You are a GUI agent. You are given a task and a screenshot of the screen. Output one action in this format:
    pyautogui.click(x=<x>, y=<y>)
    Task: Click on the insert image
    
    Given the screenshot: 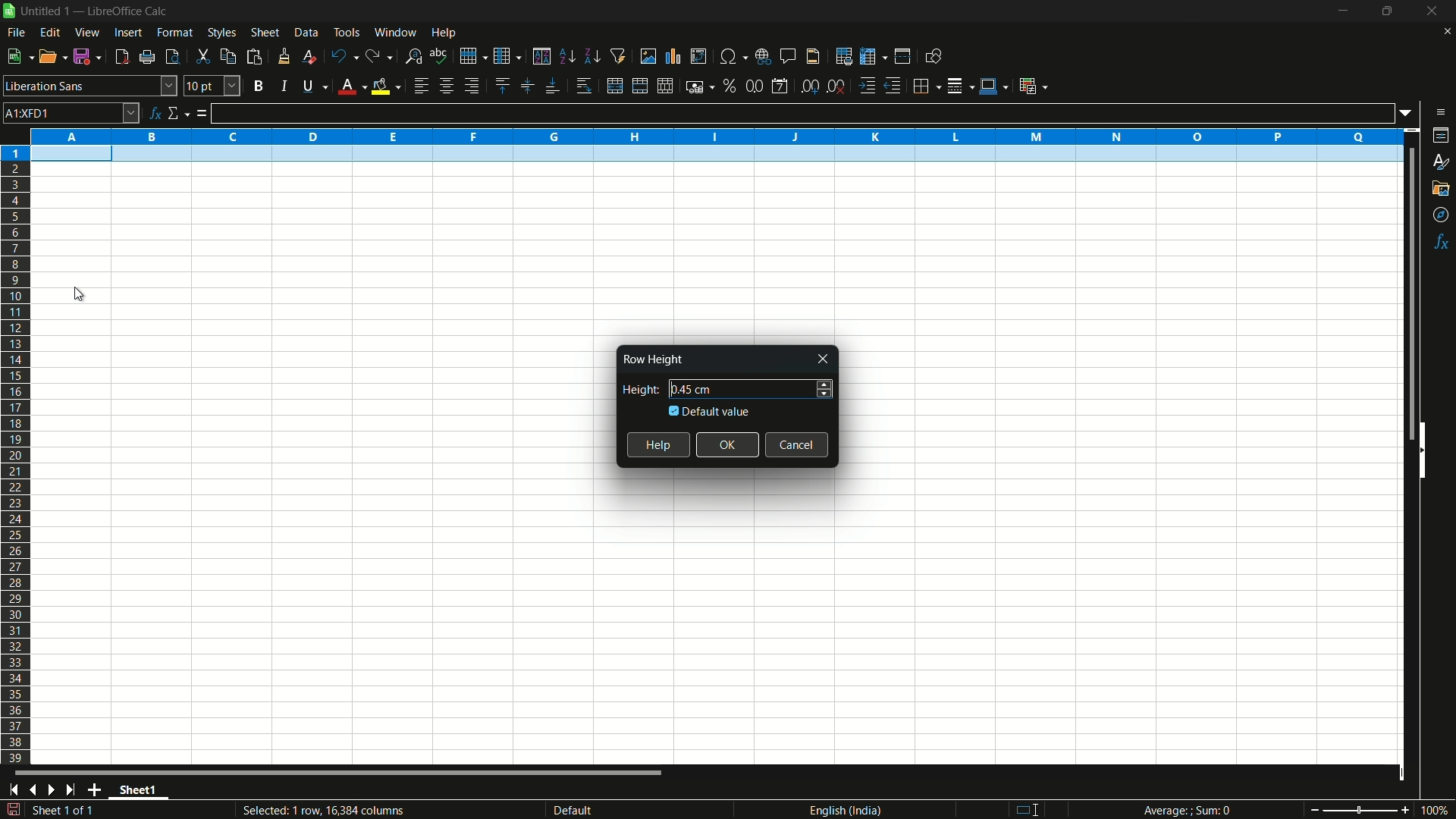 What is the action you would take?
    pyautogui.click(x=648, y=55)
    